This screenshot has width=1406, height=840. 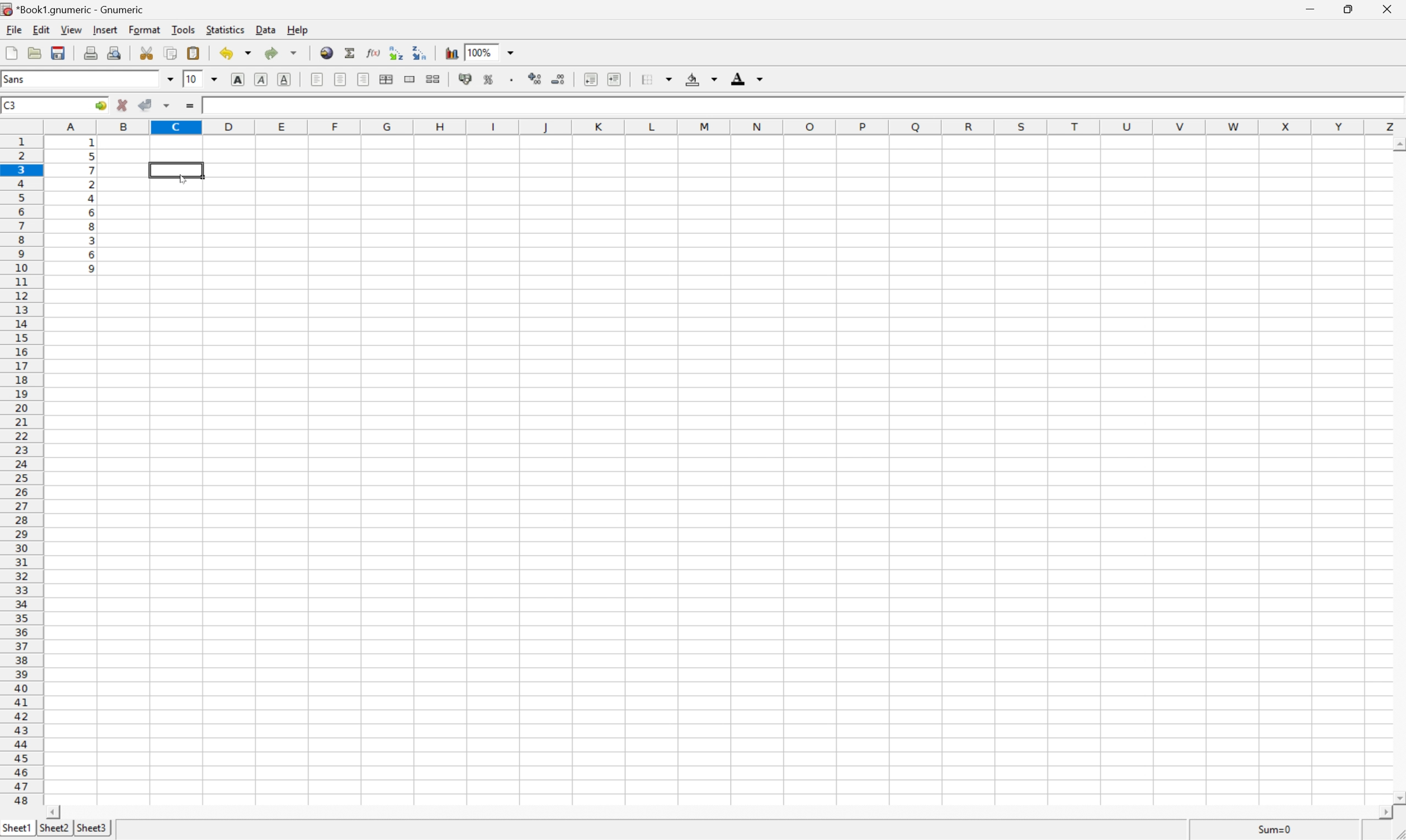 I want to click on restore down, so click(x=1351, y=10).